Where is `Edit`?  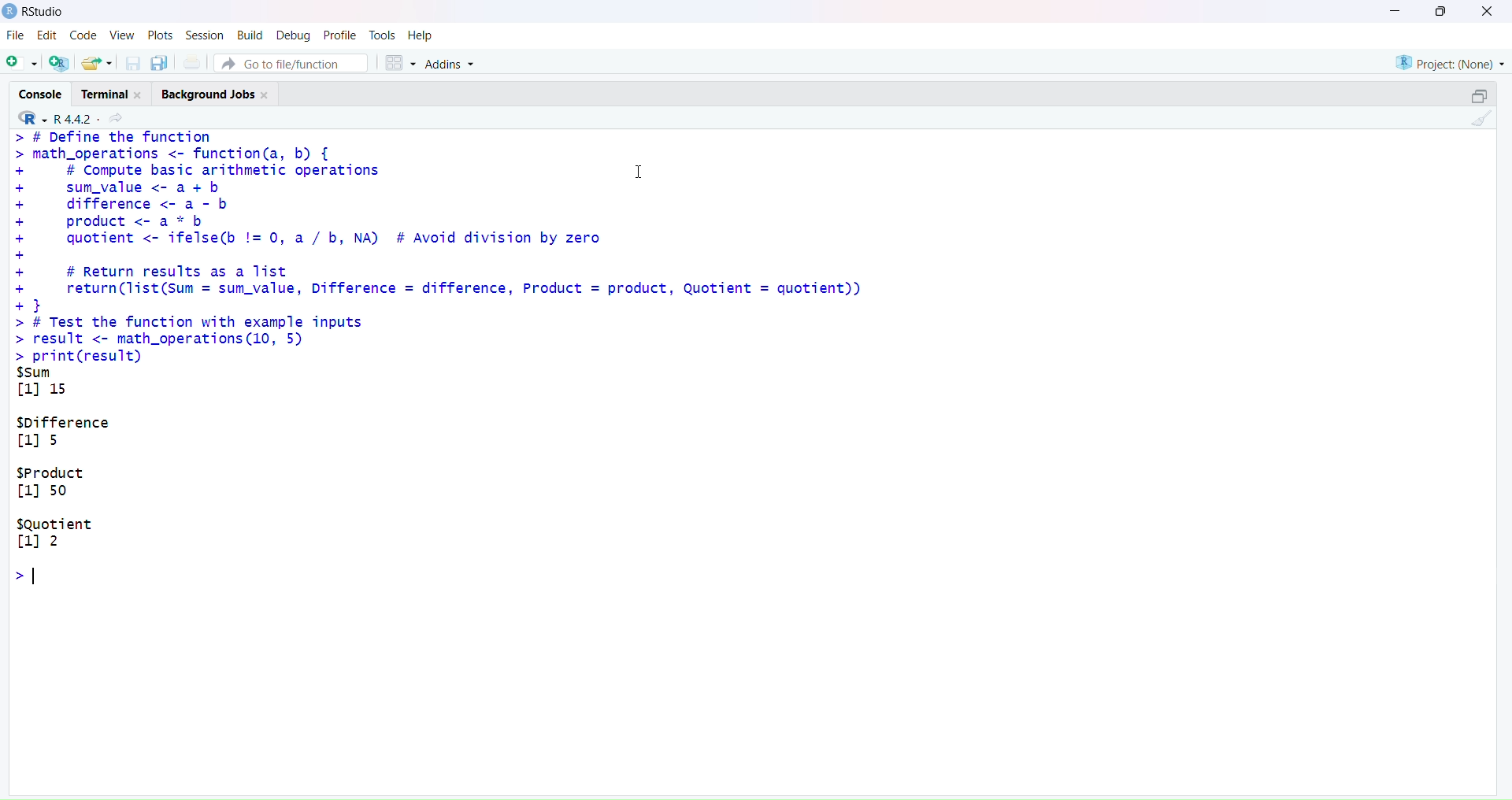
Edit is located at coordinates (43, 37).